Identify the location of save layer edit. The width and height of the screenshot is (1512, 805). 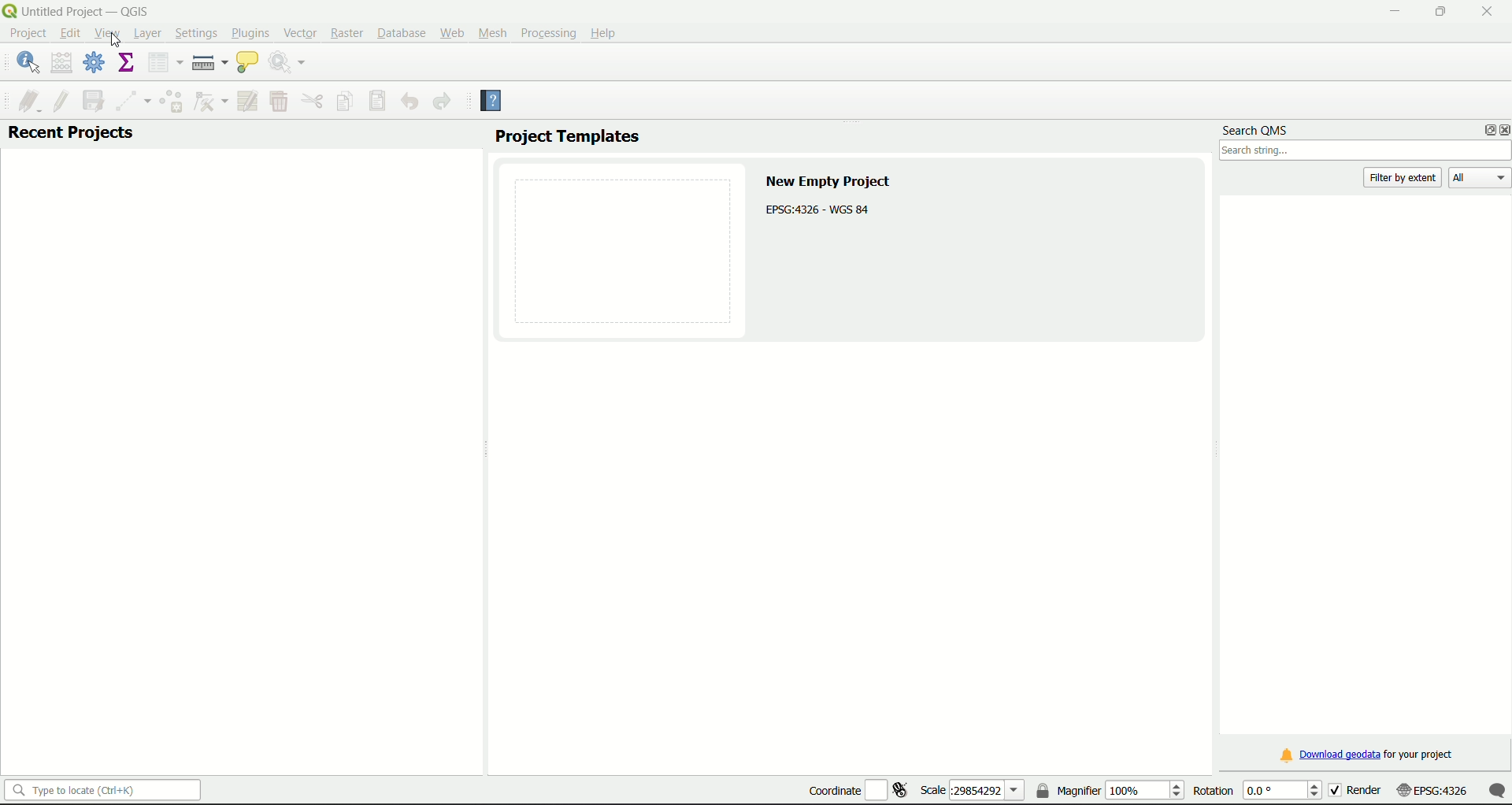
(91, 100).